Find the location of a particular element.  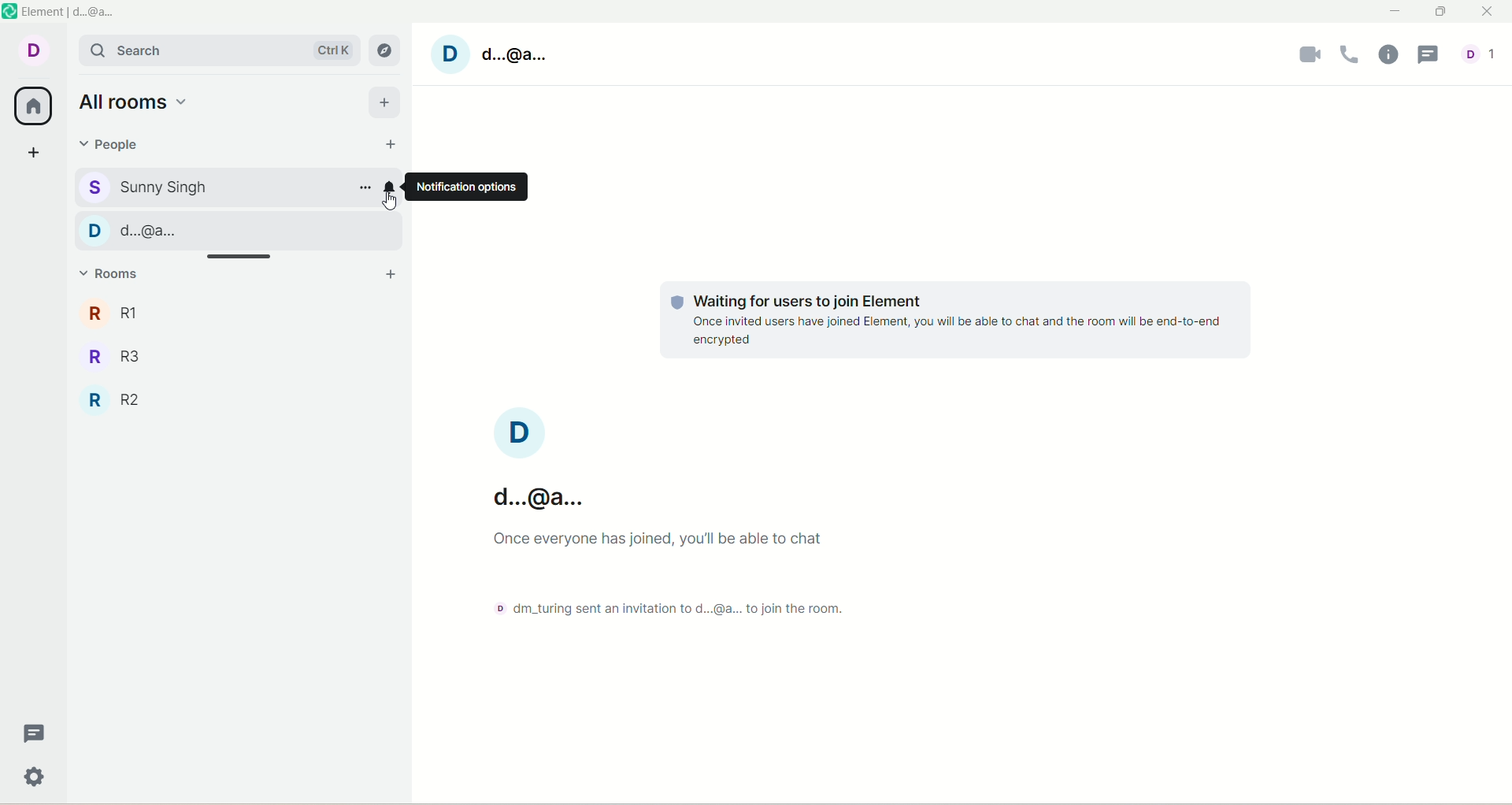

R3 is located at coordinates (239, 355).